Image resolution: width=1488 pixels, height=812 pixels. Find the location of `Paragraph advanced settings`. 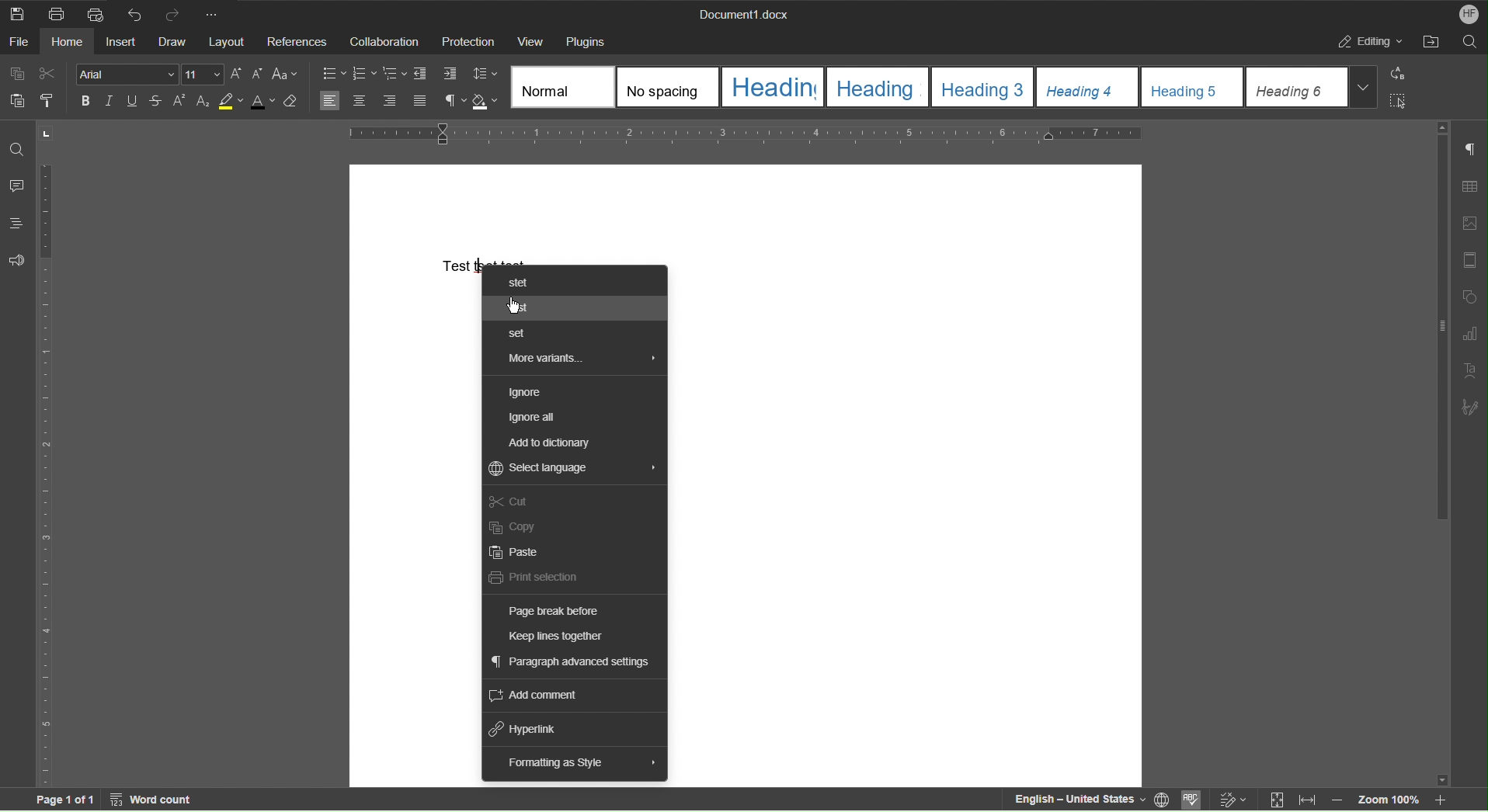

Paragraph advanced settings is located at coordinates (569, 662).